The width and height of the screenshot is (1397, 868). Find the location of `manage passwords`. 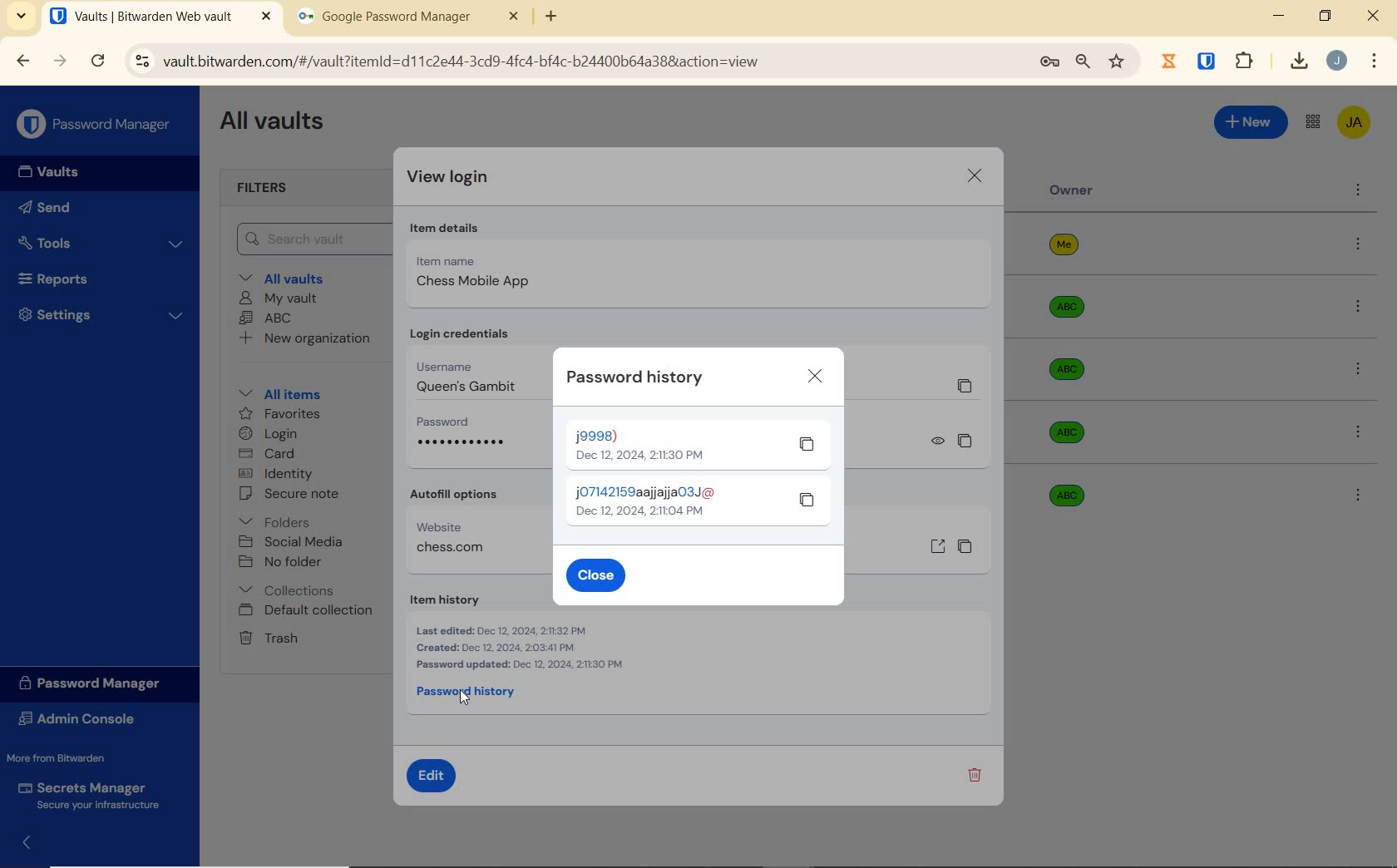

manage passwords is located at coordinates (1047, 64).